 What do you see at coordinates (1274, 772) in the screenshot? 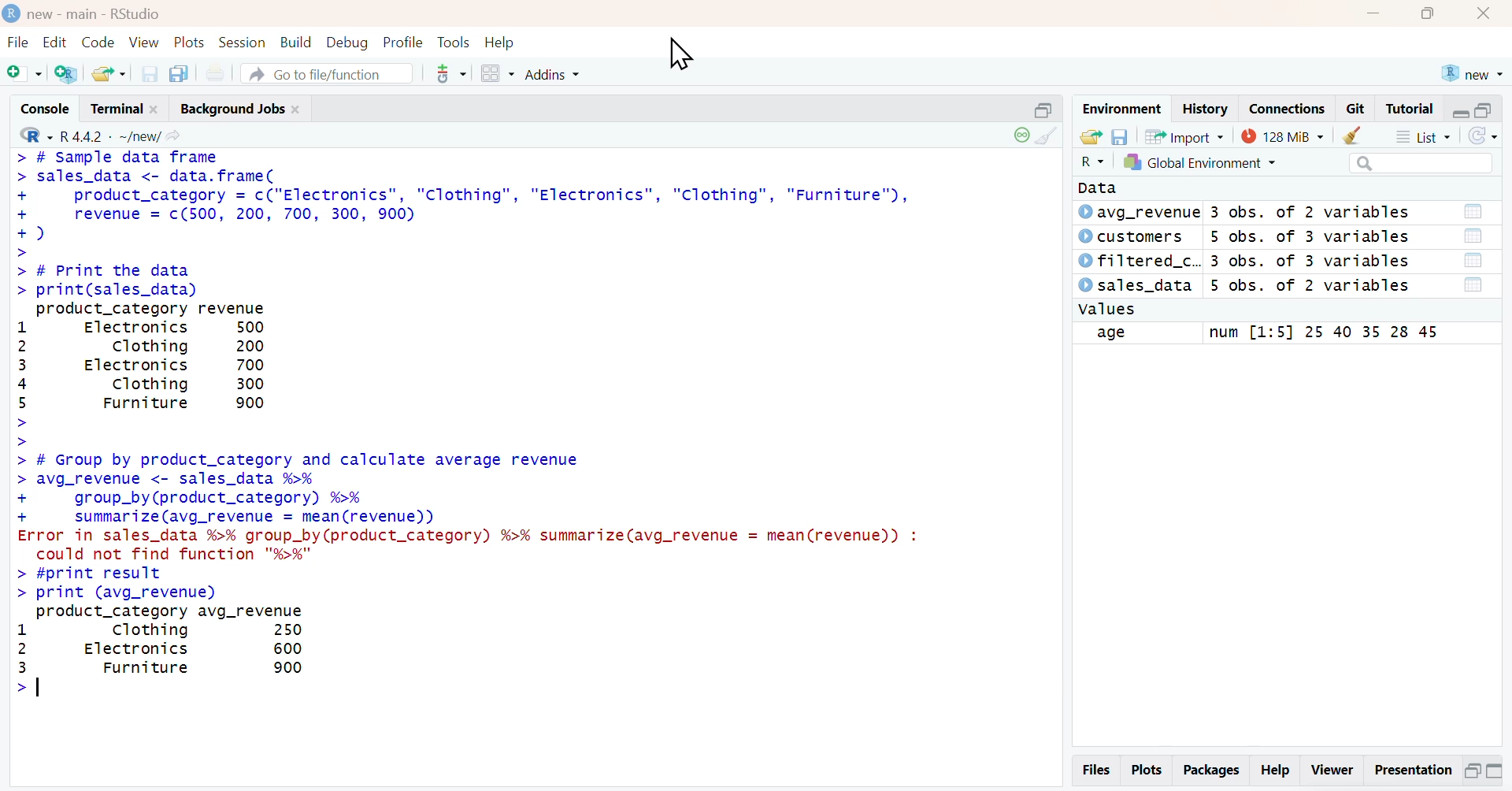
I see `Help` at bounding box center [1274, 772].